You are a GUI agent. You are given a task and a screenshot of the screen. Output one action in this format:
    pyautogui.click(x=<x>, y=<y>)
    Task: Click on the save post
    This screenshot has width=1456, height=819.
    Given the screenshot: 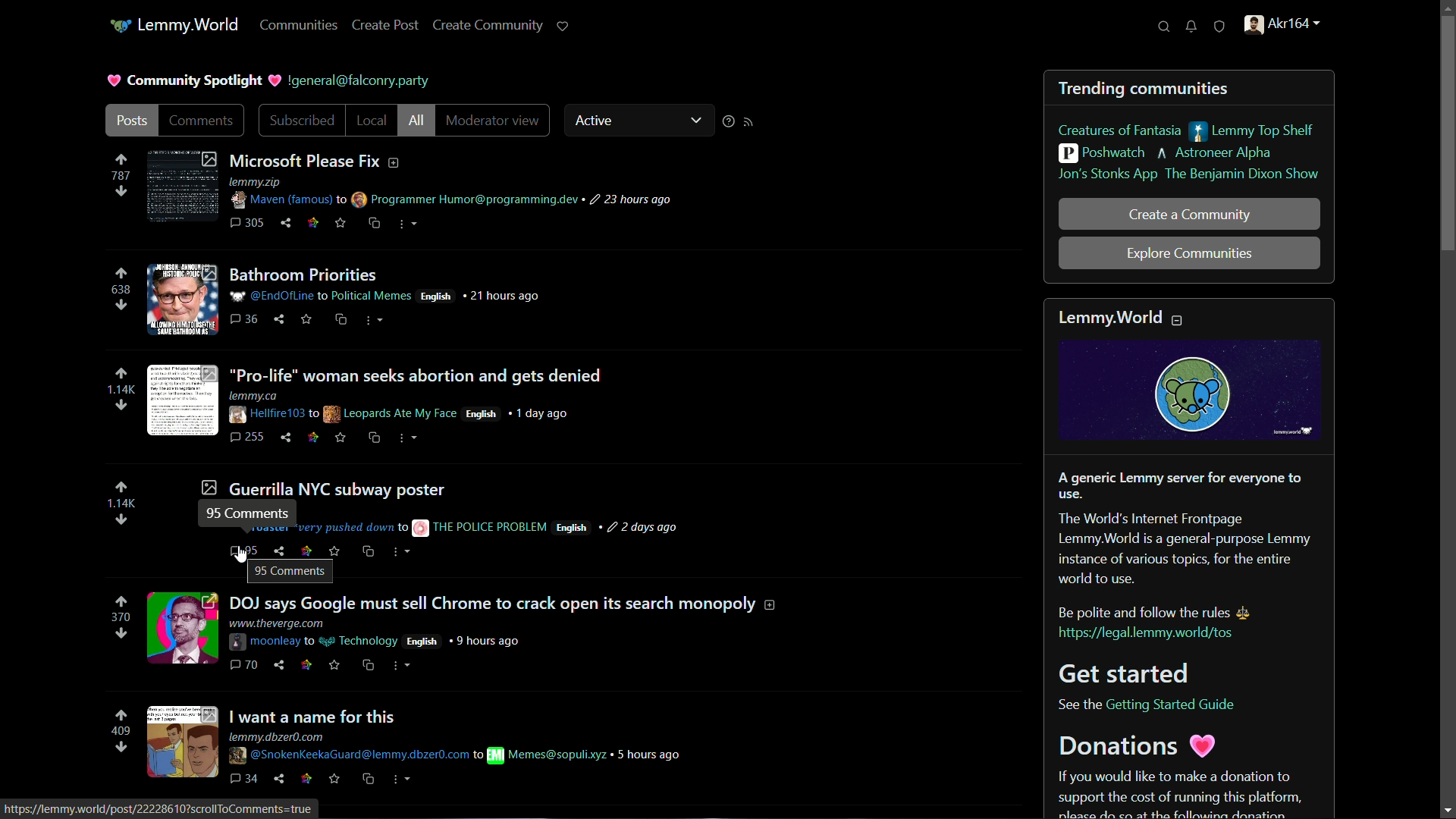 What is the action you would take?
    pyautogui.click(x=340, y=222)
    